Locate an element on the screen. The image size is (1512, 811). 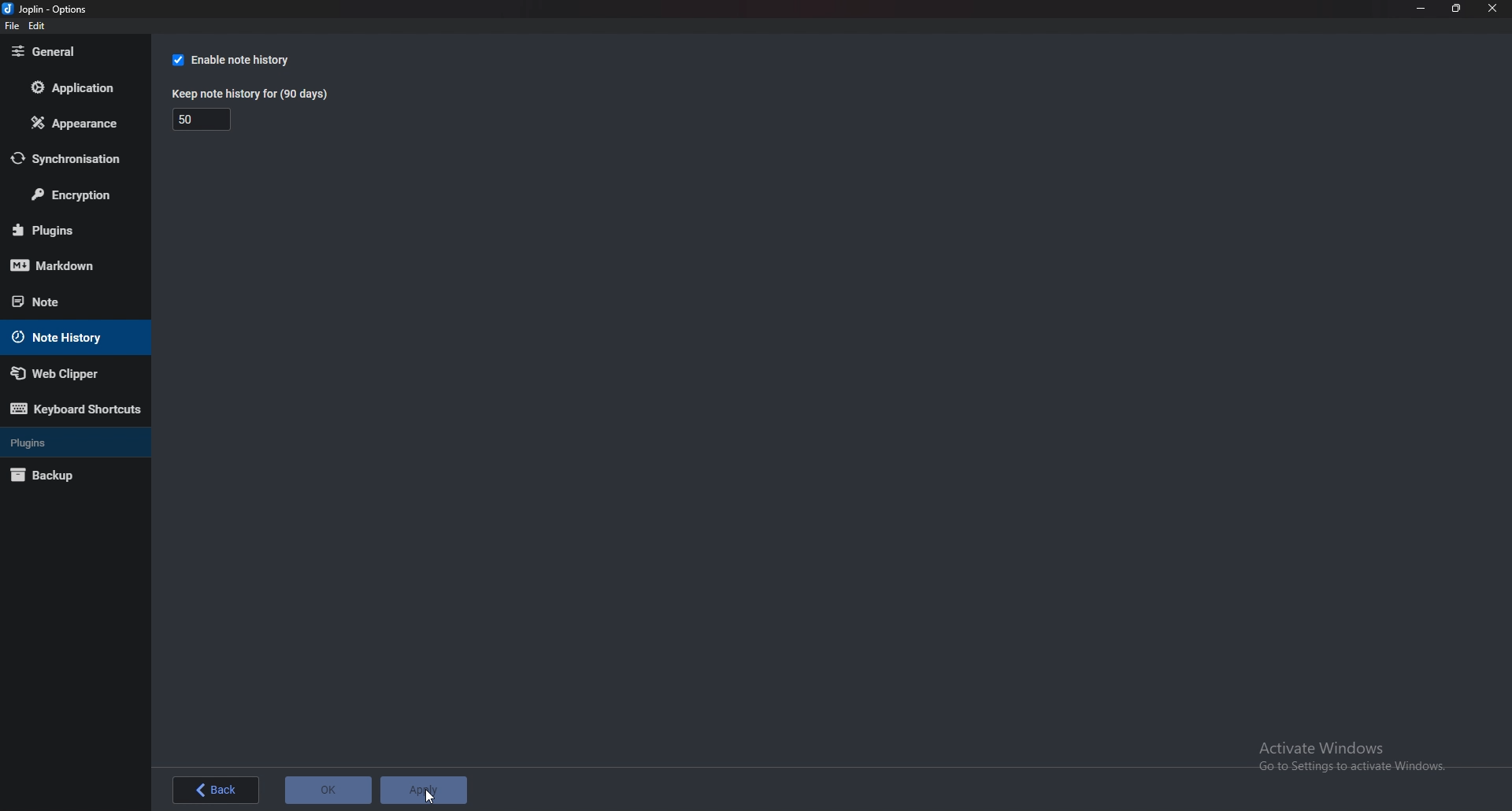
edit is located at coordinates (38, 26).